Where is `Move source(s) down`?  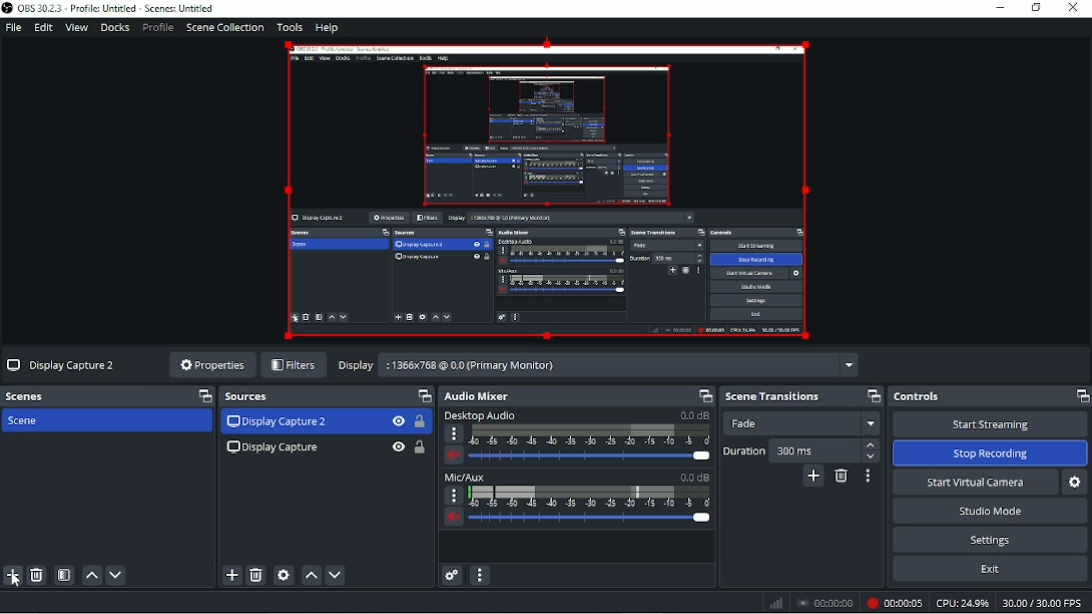
Move source(s) down is located at coordinates (335, 575).